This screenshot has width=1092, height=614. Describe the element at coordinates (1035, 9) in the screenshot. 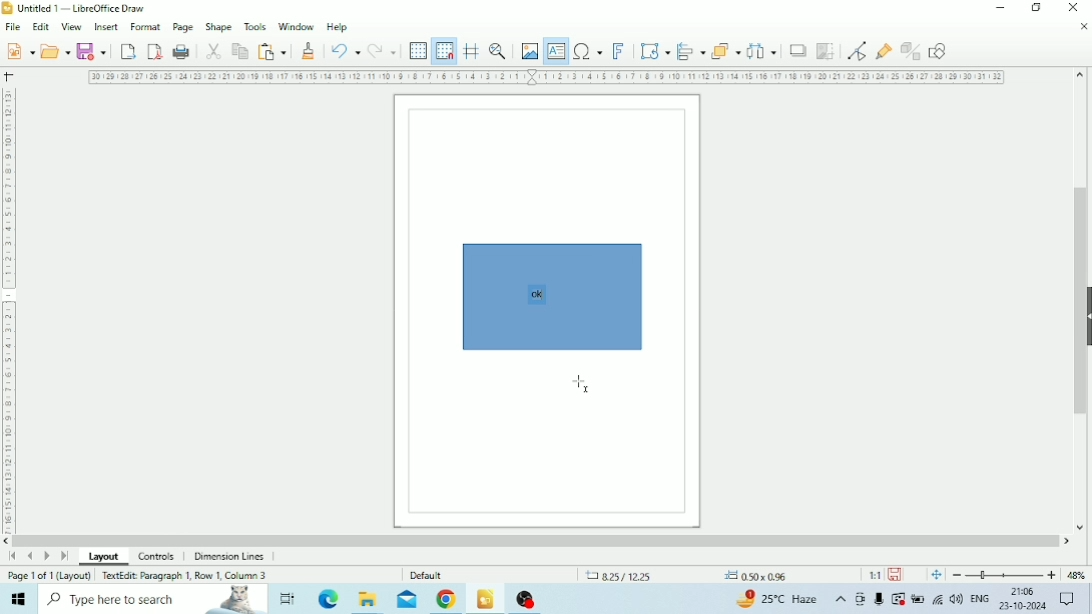

I see `Restore Down` at that location.